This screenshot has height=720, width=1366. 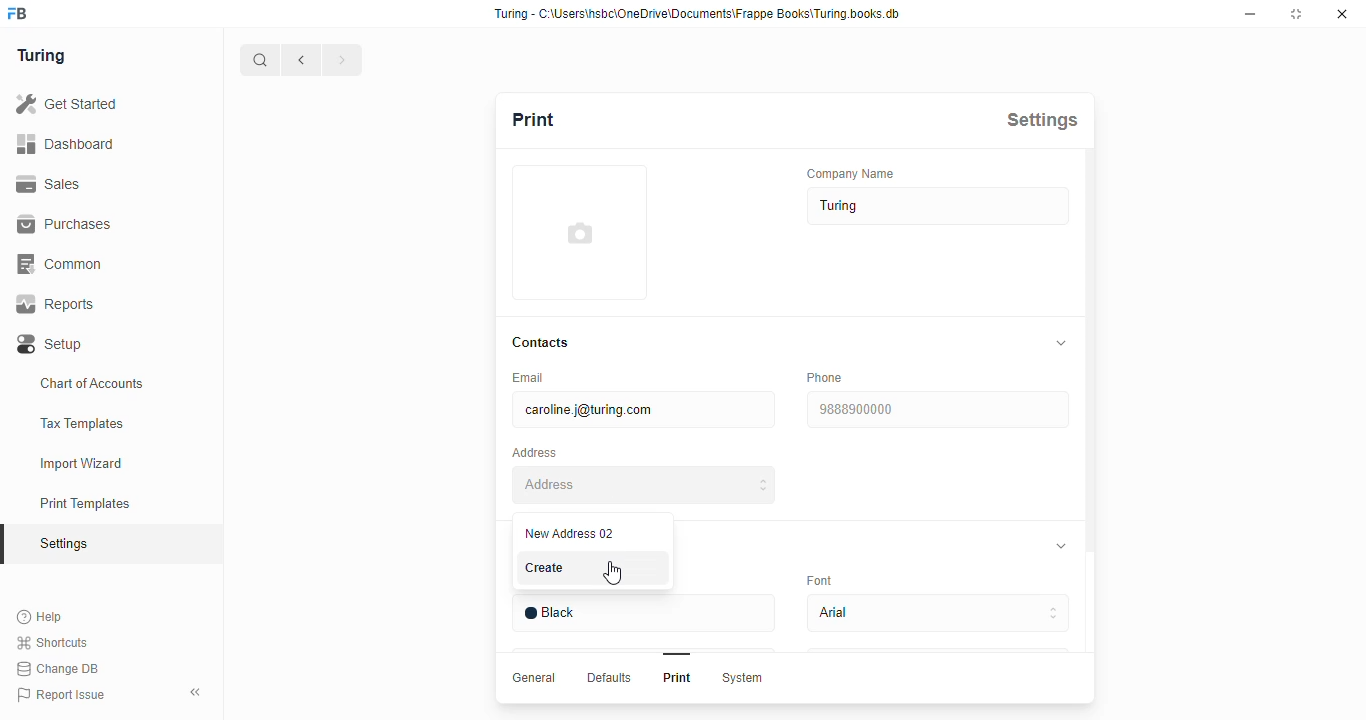 I want to click on FB-logo, so click(x=17, y=13).